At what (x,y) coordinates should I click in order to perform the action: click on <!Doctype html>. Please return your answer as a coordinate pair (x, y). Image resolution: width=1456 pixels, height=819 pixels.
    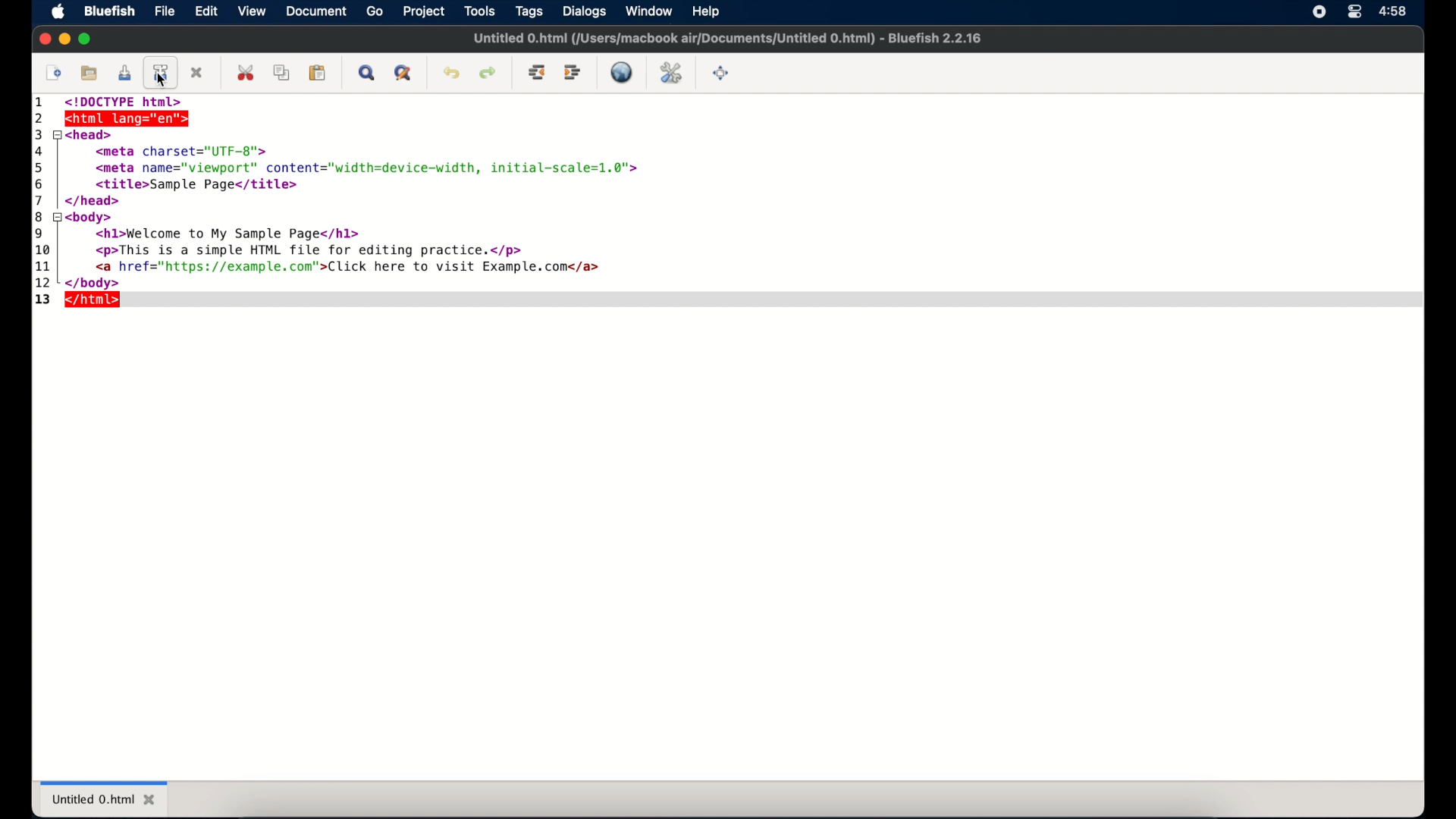
    Looking at the image, I should click on (127, 102).